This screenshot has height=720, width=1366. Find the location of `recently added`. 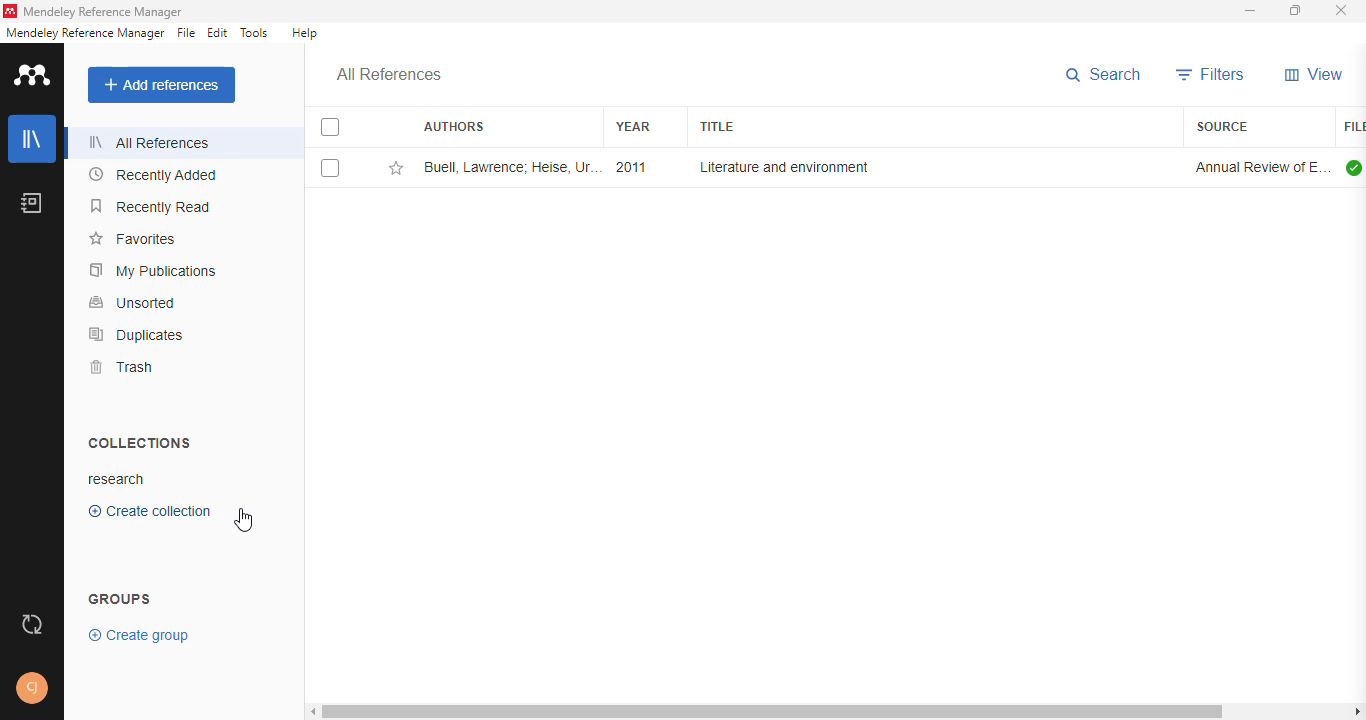

recently added is located at coordinates (153, 174).